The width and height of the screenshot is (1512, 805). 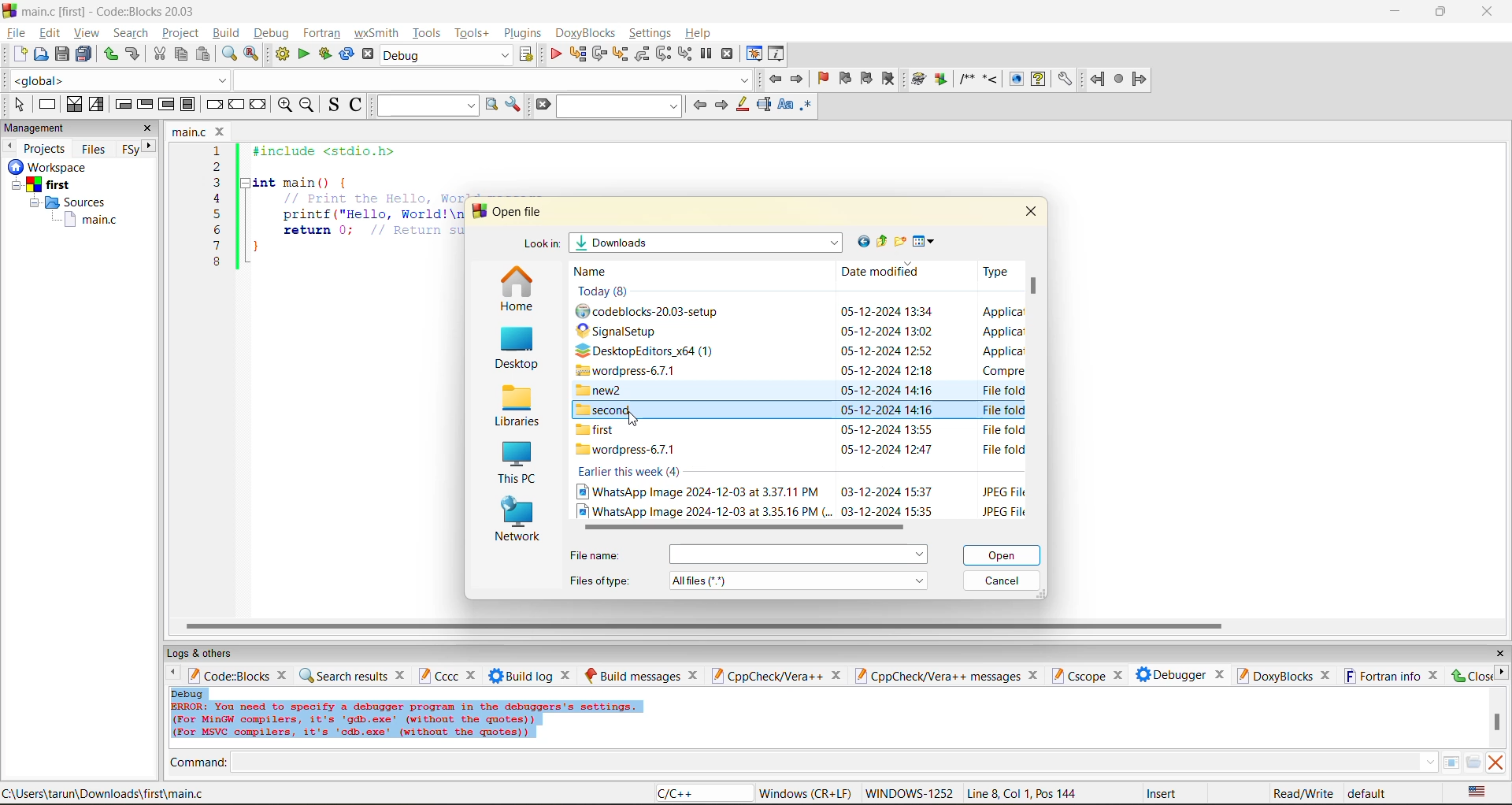 I want to click on toggle comments, so click(x=358, y=104).